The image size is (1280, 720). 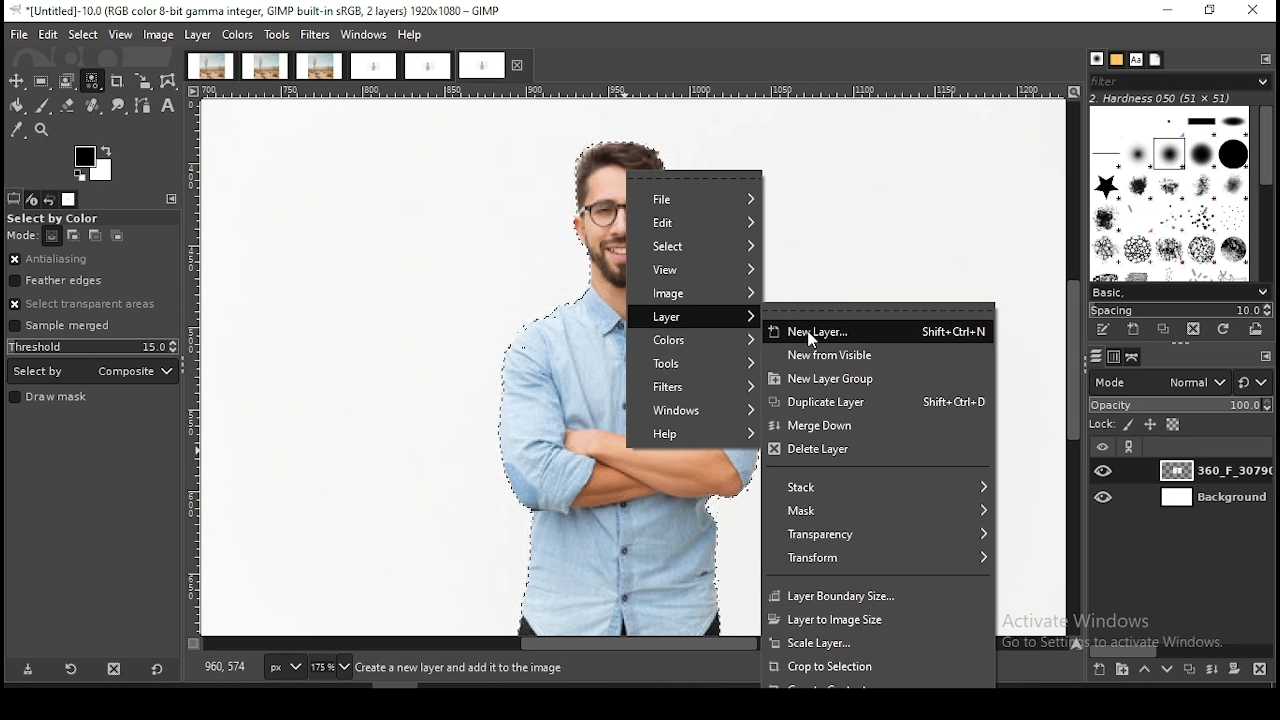 What do you see at coordinates (1221, 330) in the screenshot?
I see `refresh brushes` at bounding box center [1221, 330].